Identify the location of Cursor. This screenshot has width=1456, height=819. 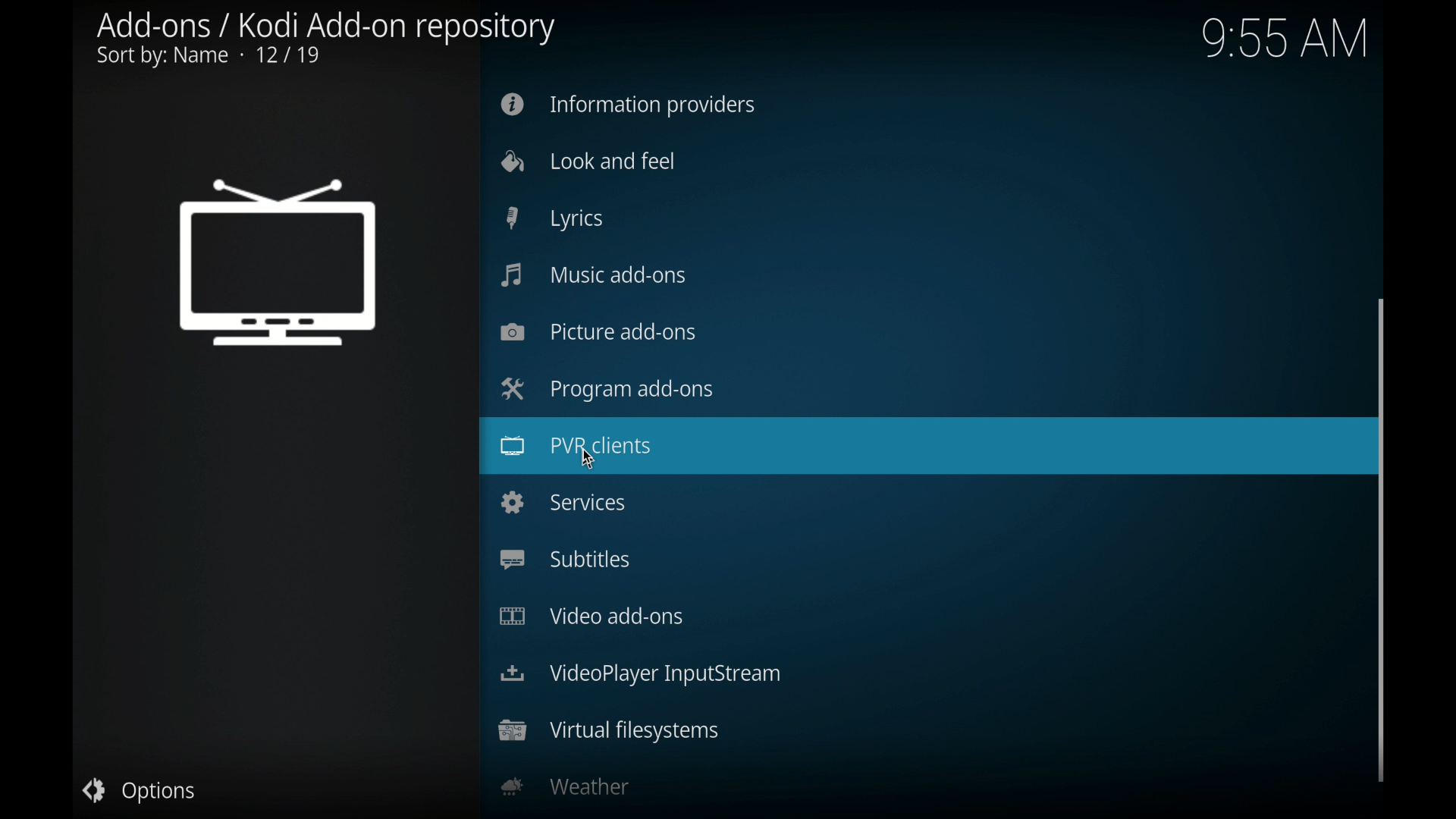
(582, 458).